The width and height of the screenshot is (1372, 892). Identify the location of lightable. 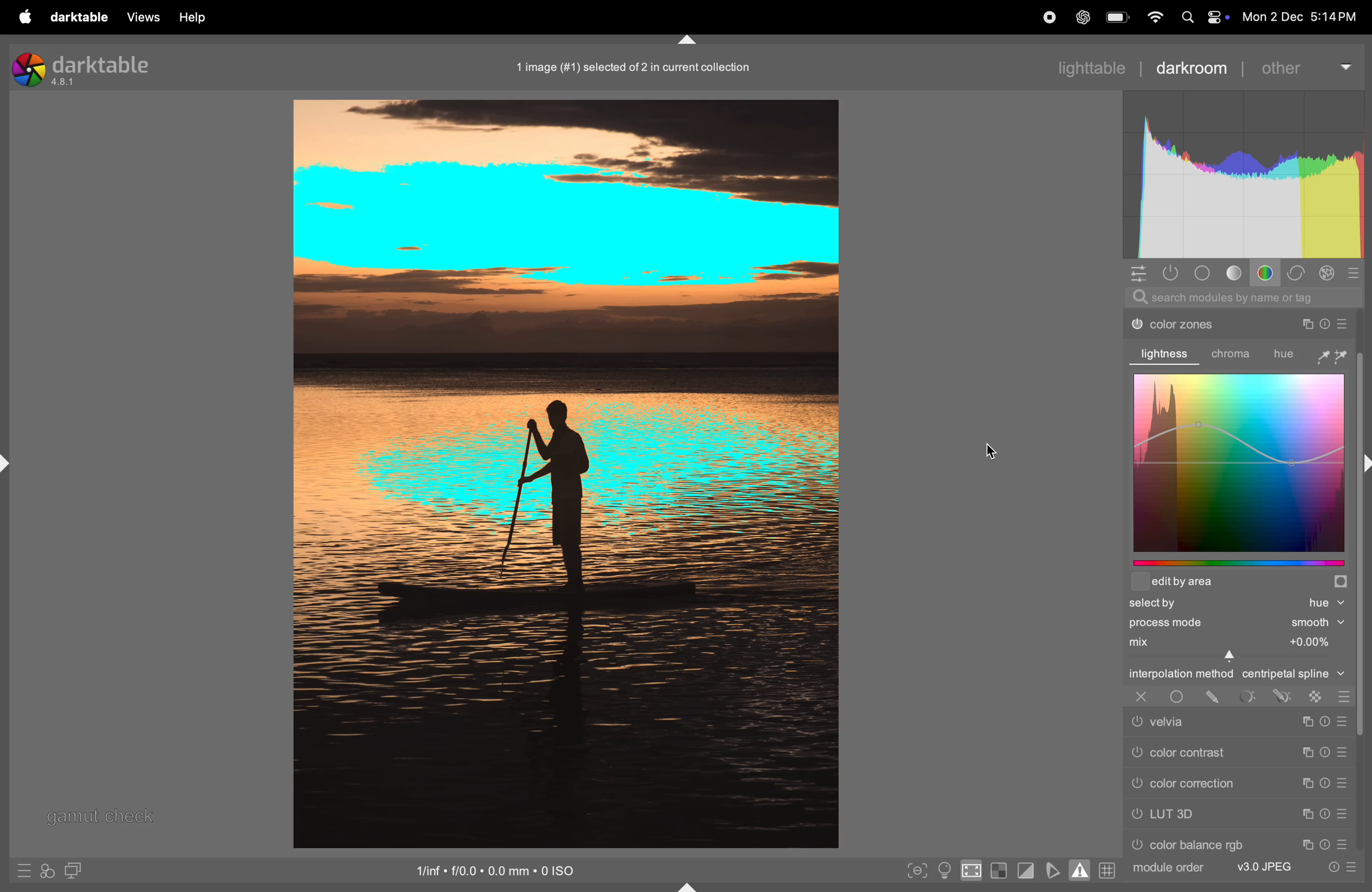
(1083, 68).